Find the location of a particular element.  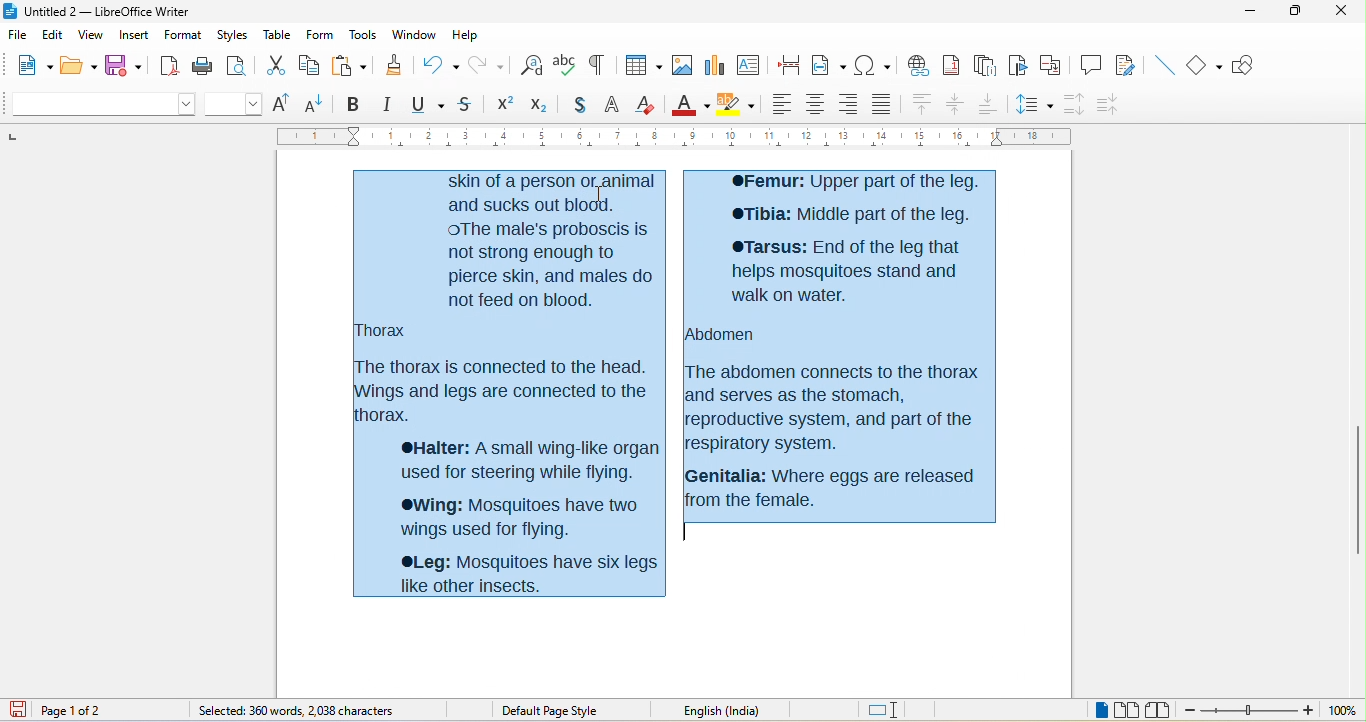

increase paragraph spacing is located at coordinates (1075, 105).